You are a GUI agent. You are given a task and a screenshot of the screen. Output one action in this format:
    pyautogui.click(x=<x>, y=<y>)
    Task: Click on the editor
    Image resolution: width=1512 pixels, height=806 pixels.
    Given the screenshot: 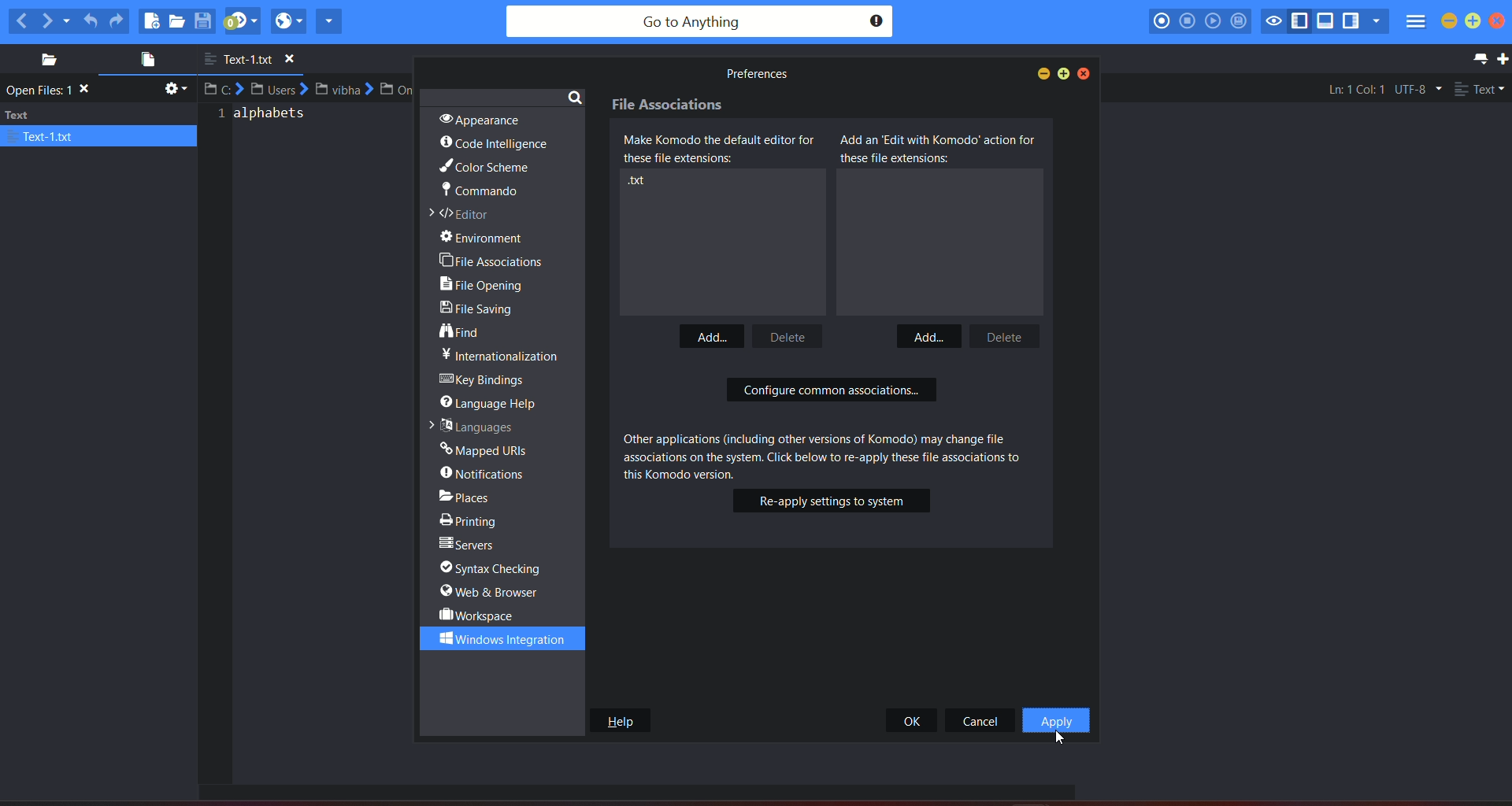 What is the action you would take?
    pyautogui.click(x=464, y=215)
    